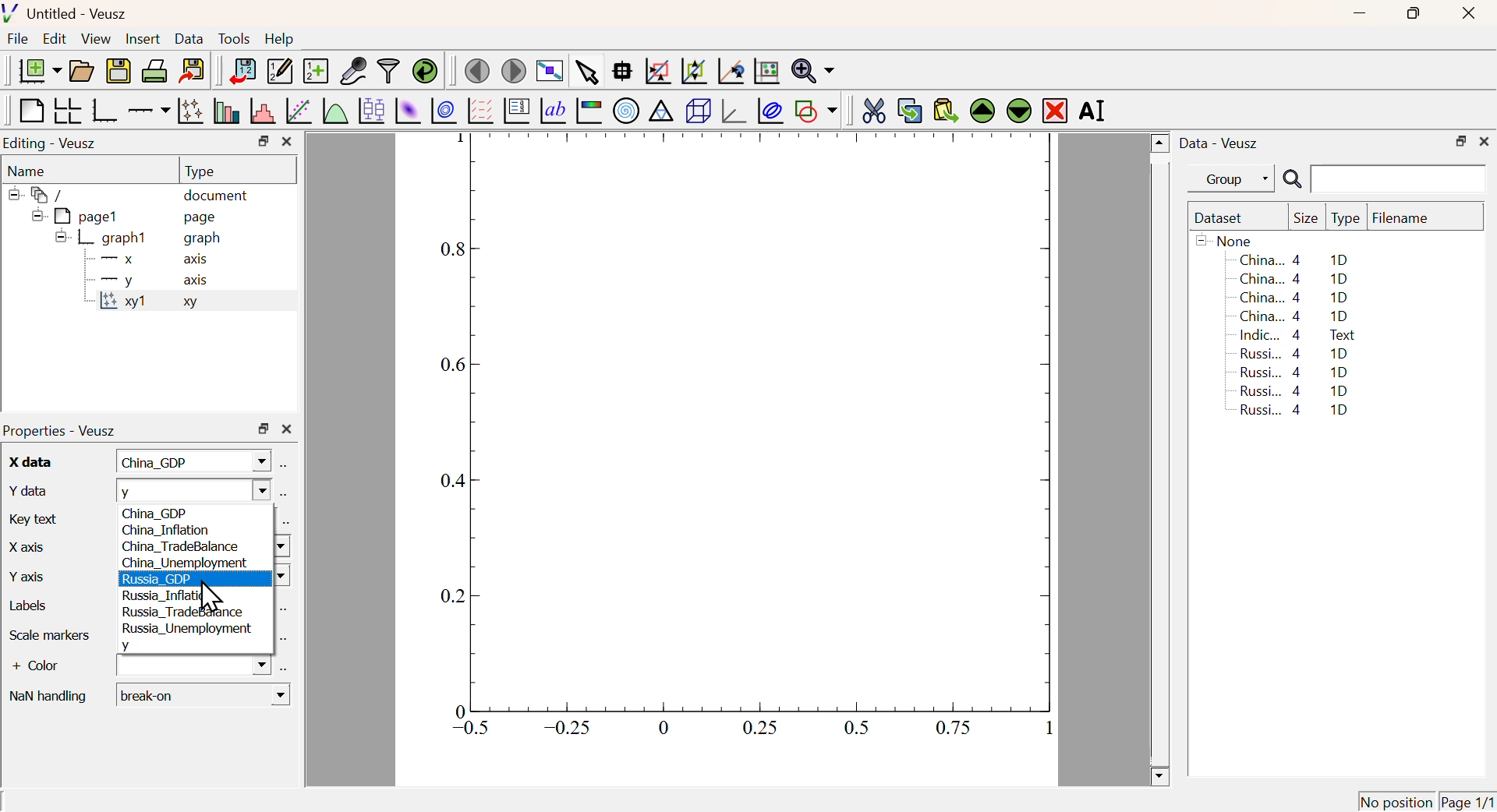  I want to click on Read Data points on graph, so click(622, 70).